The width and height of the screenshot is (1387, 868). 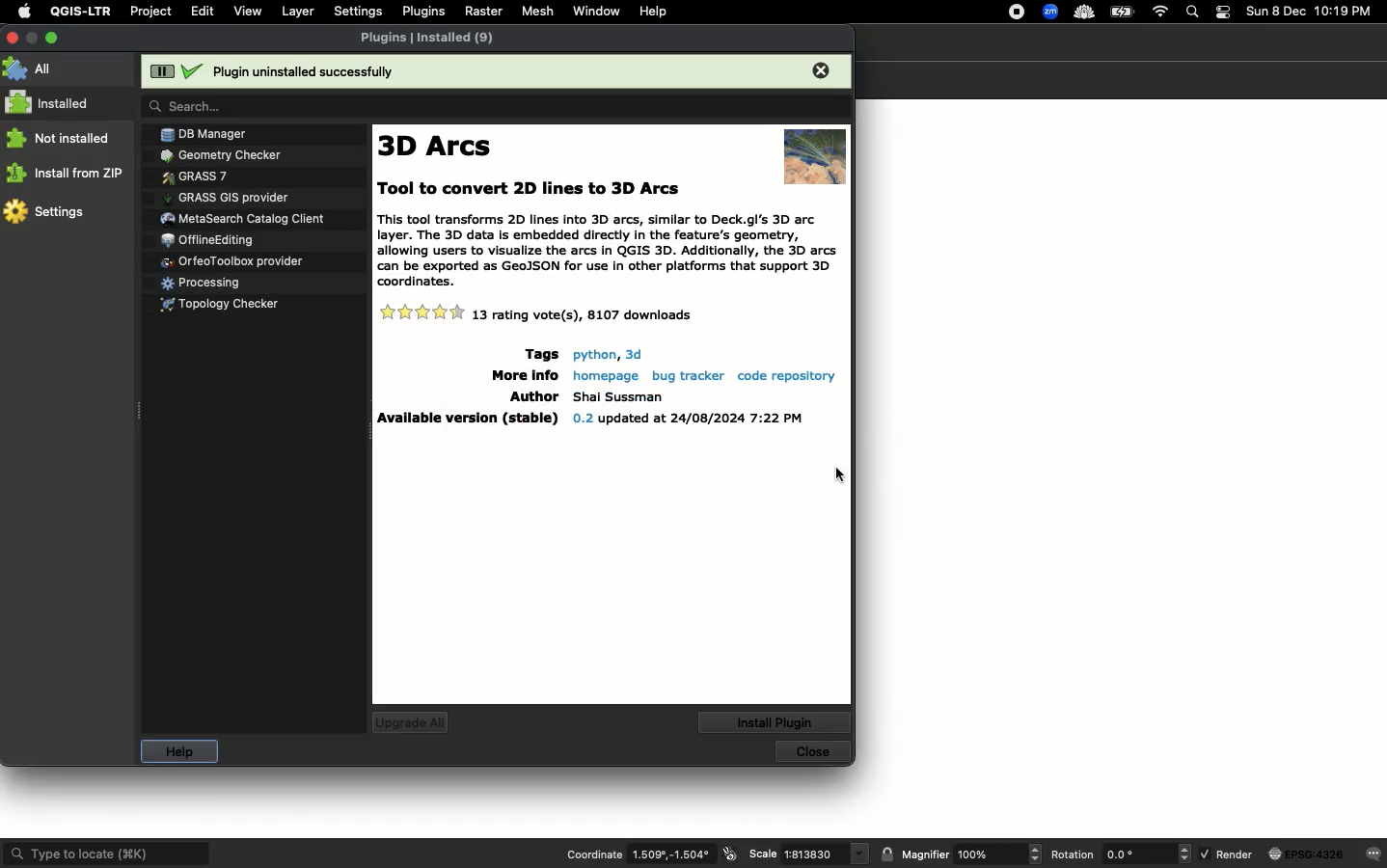 What do you see at coordinates (531, 166) in the screenshot?
I see `text` at bounding box center [531, 166].